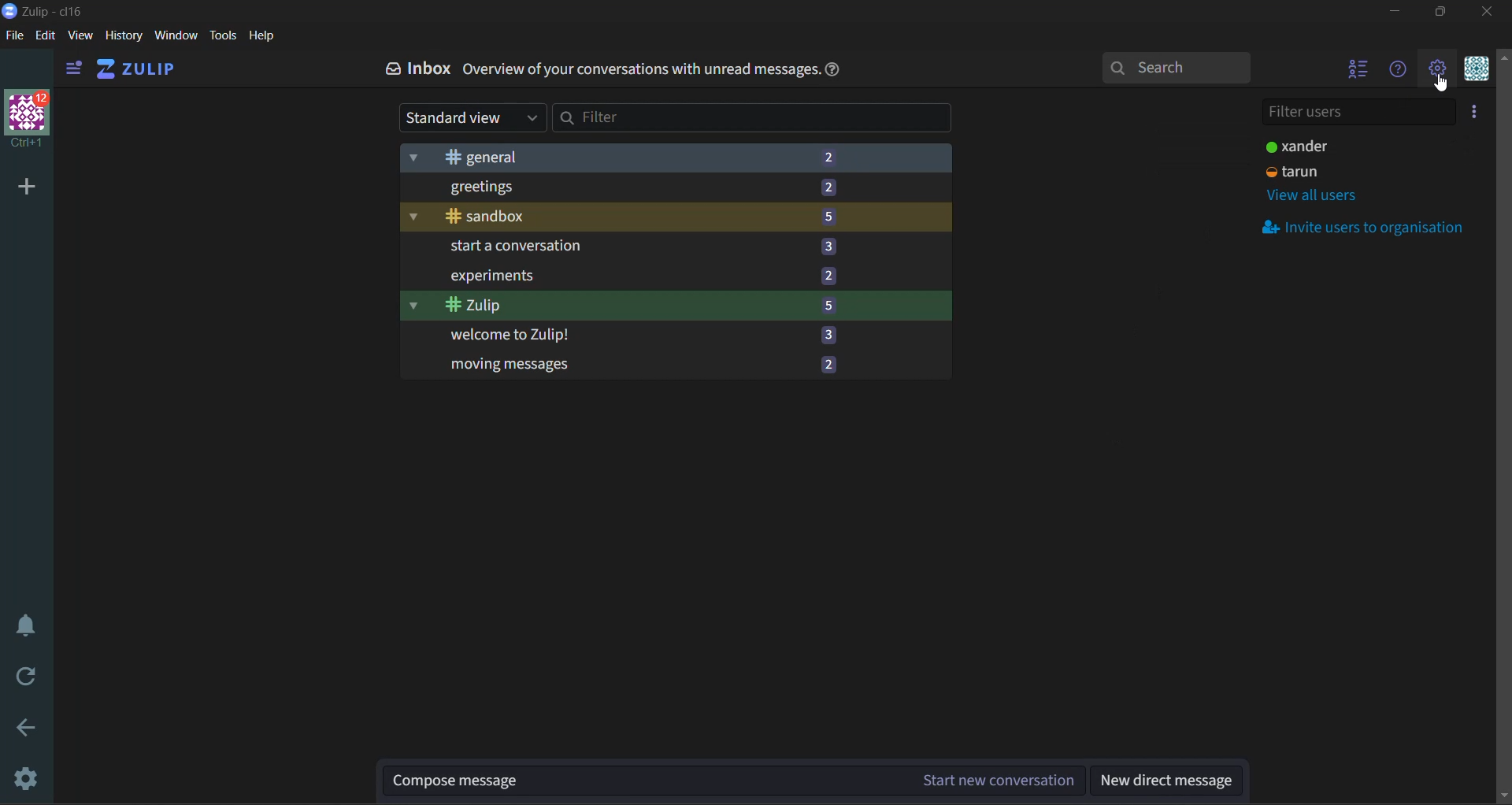 The width and height of the screenshot is (1512, 805). What do you see at coordinates (1177, 68) in the screenshot?
I see `search` at bounding box center [1177, 68].